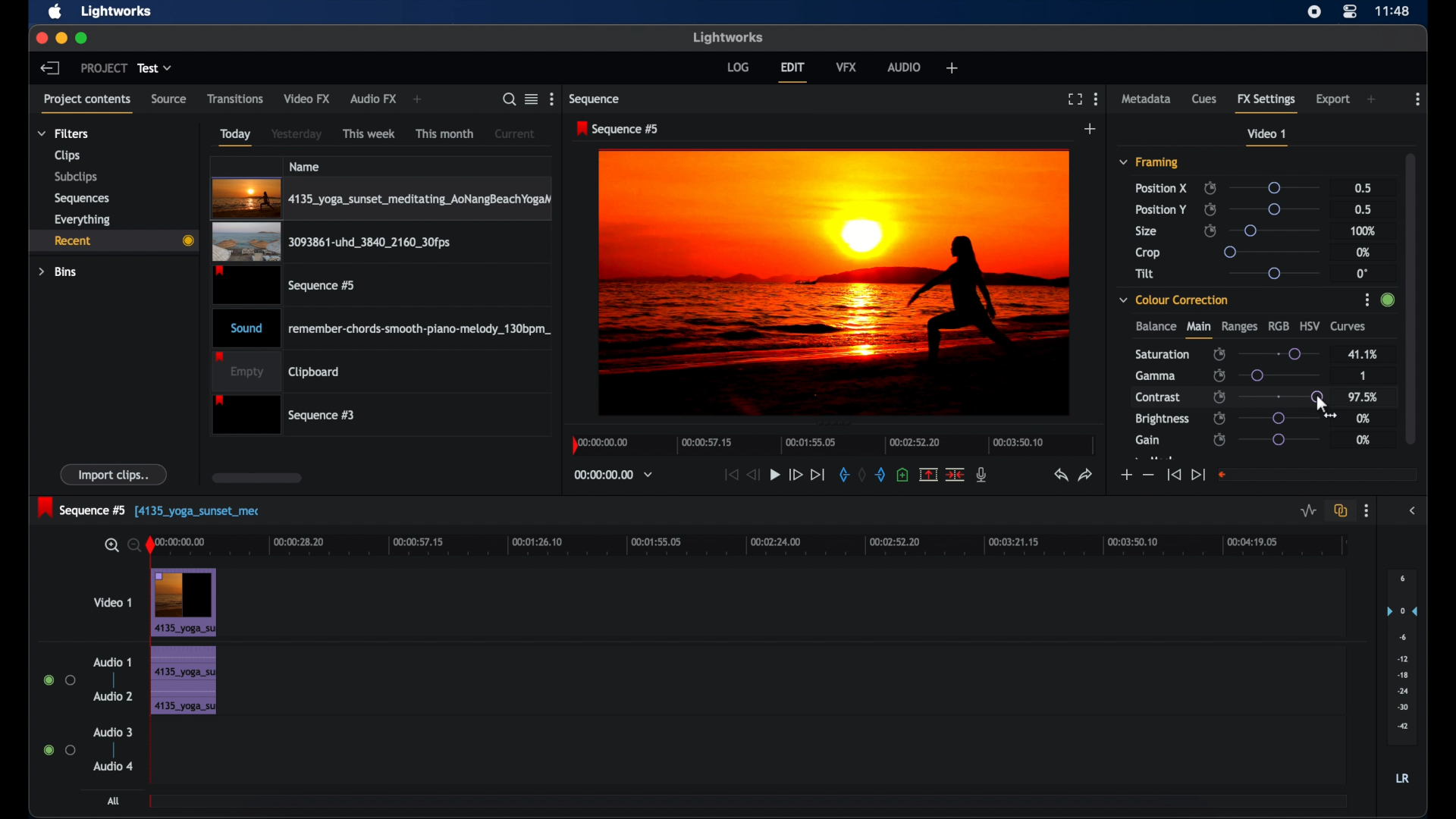 Image resolution: width=1456 pixels, height=819 pixels. What do you see at coordinates (847, 67) in the screenshot?
I see `vfx` at bounding box center [847, 67].